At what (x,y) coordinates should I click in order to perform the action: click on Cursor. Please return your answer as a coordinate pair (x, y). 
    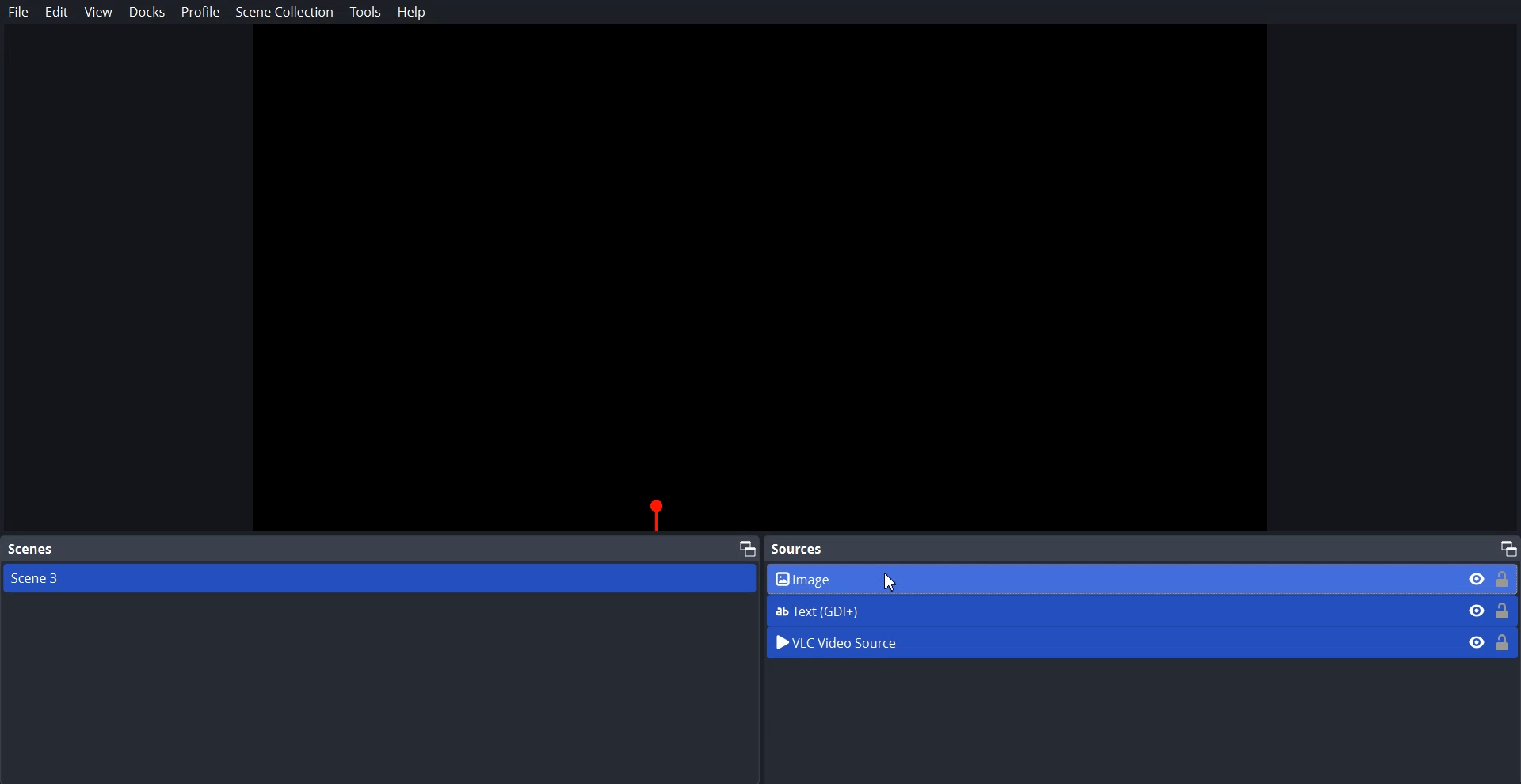
    Looking at the image, I should click on (892, 582).